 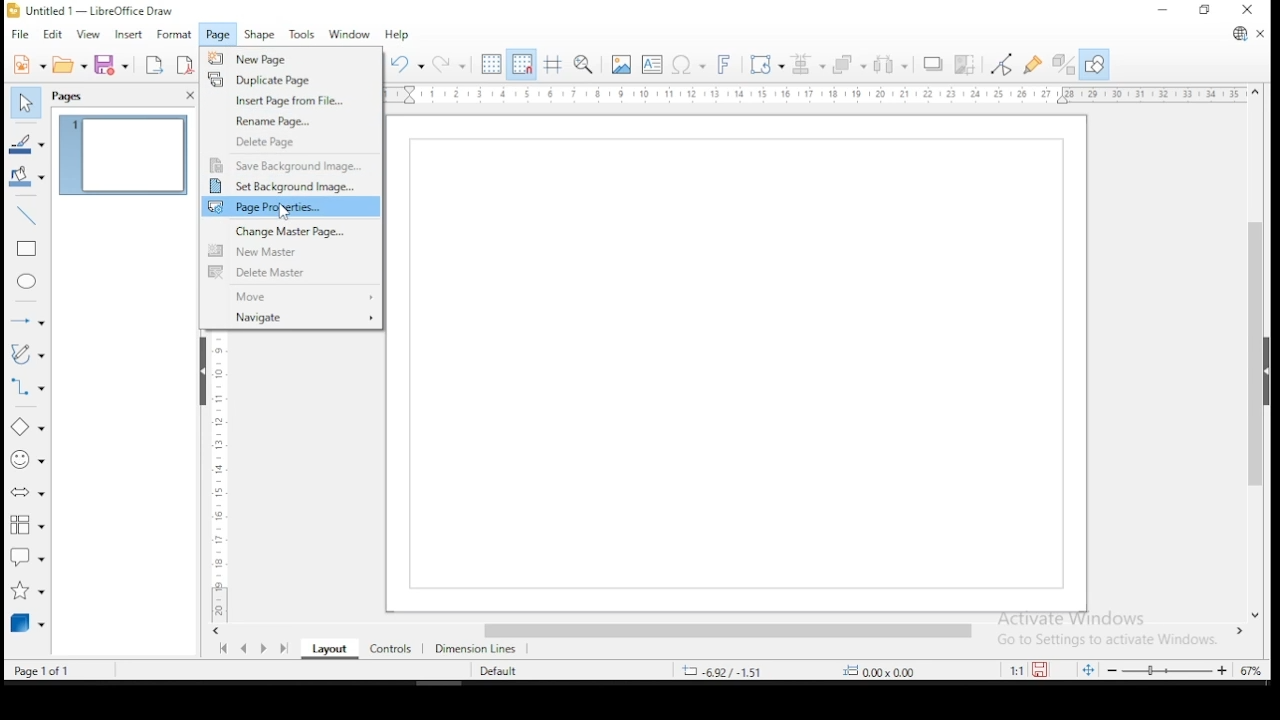 I want to click on block arrows, so click(x=28, y=496).